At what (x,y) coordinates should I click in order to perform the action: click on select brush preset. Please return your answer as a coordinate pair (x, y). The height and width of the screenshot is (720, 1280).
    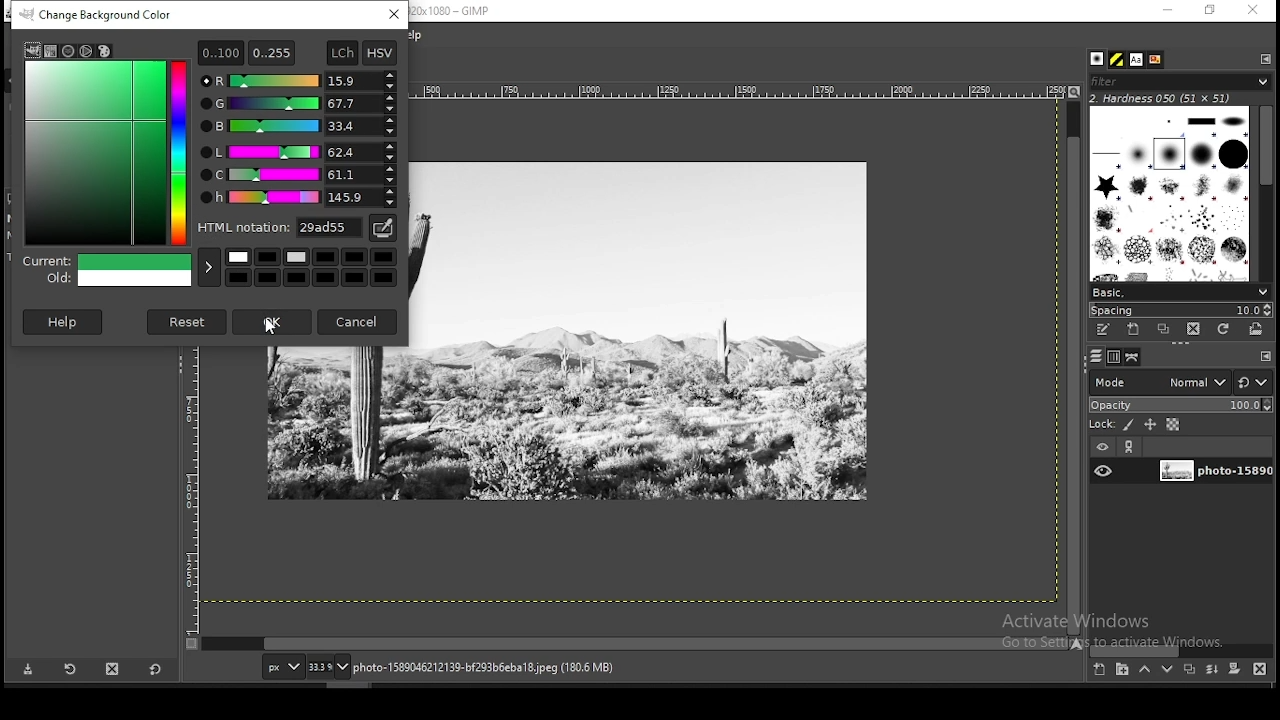
    Looking at the image, I should click on (1178, 291).